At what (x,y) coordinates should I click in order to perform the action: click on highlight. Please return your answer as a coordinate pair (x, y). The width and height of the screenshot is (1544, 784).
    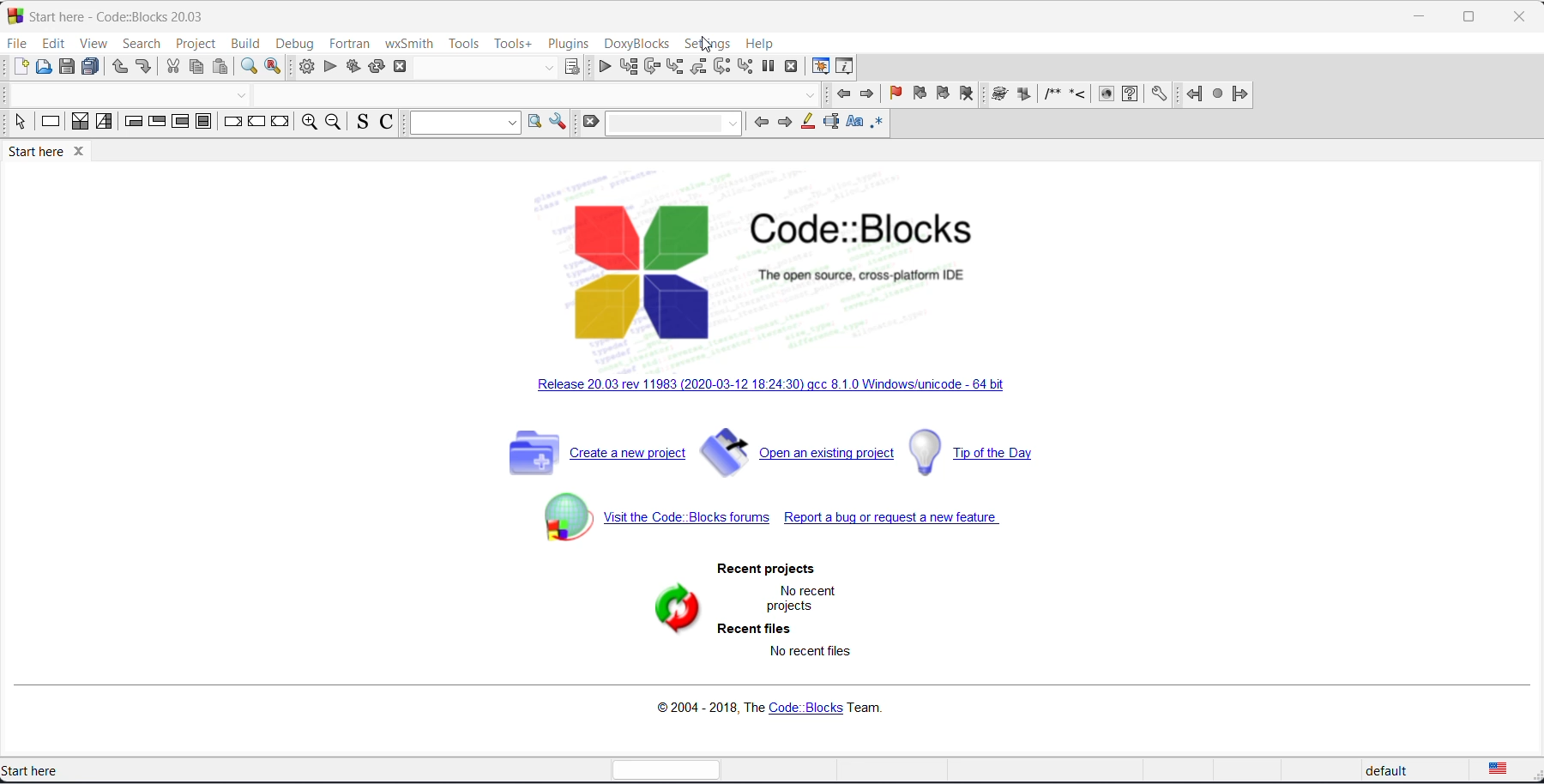
    Looking at the image, I should click on (808, 122).